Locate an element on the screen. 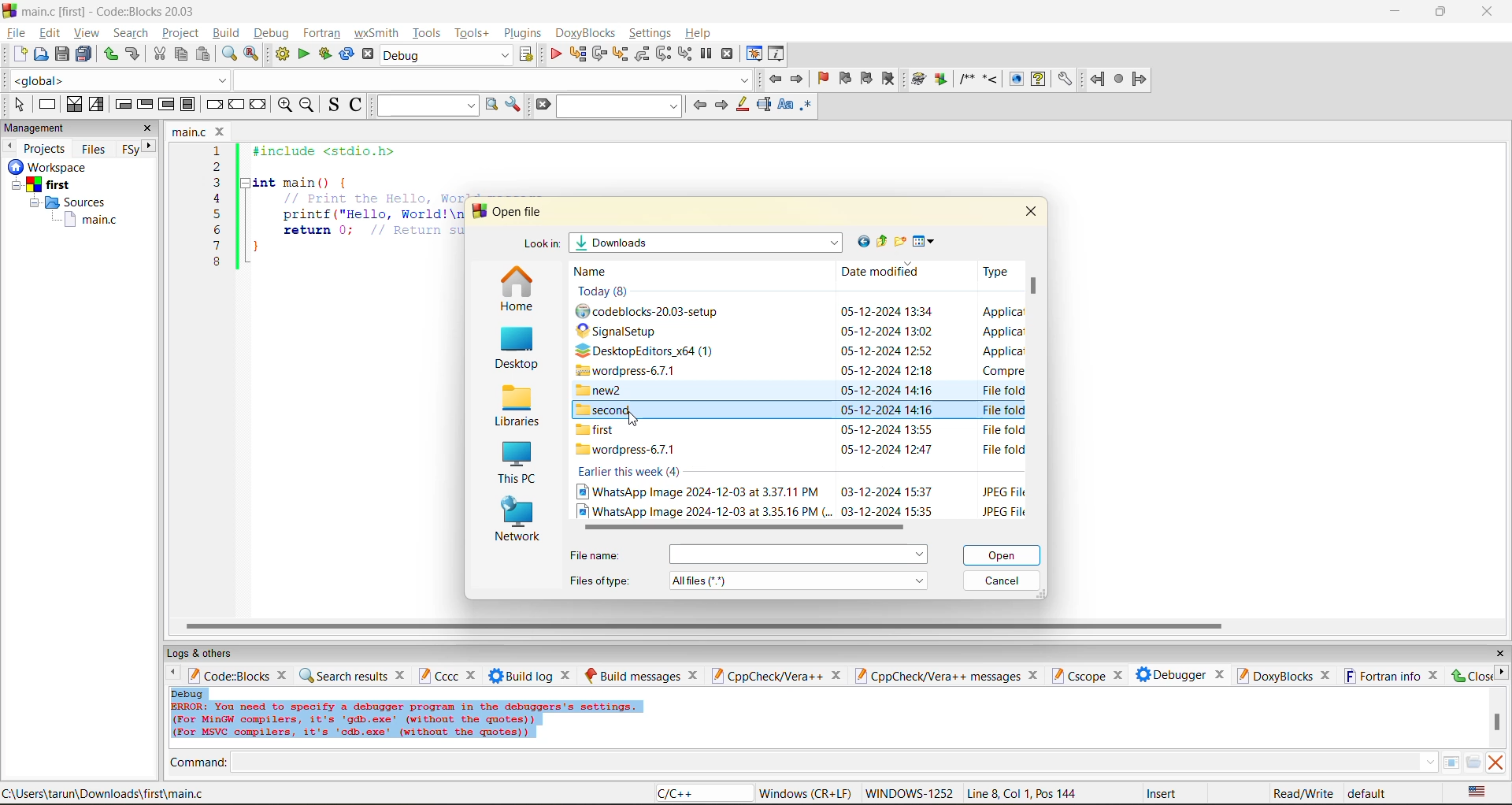  instruction is located at coordinates (46, 105).